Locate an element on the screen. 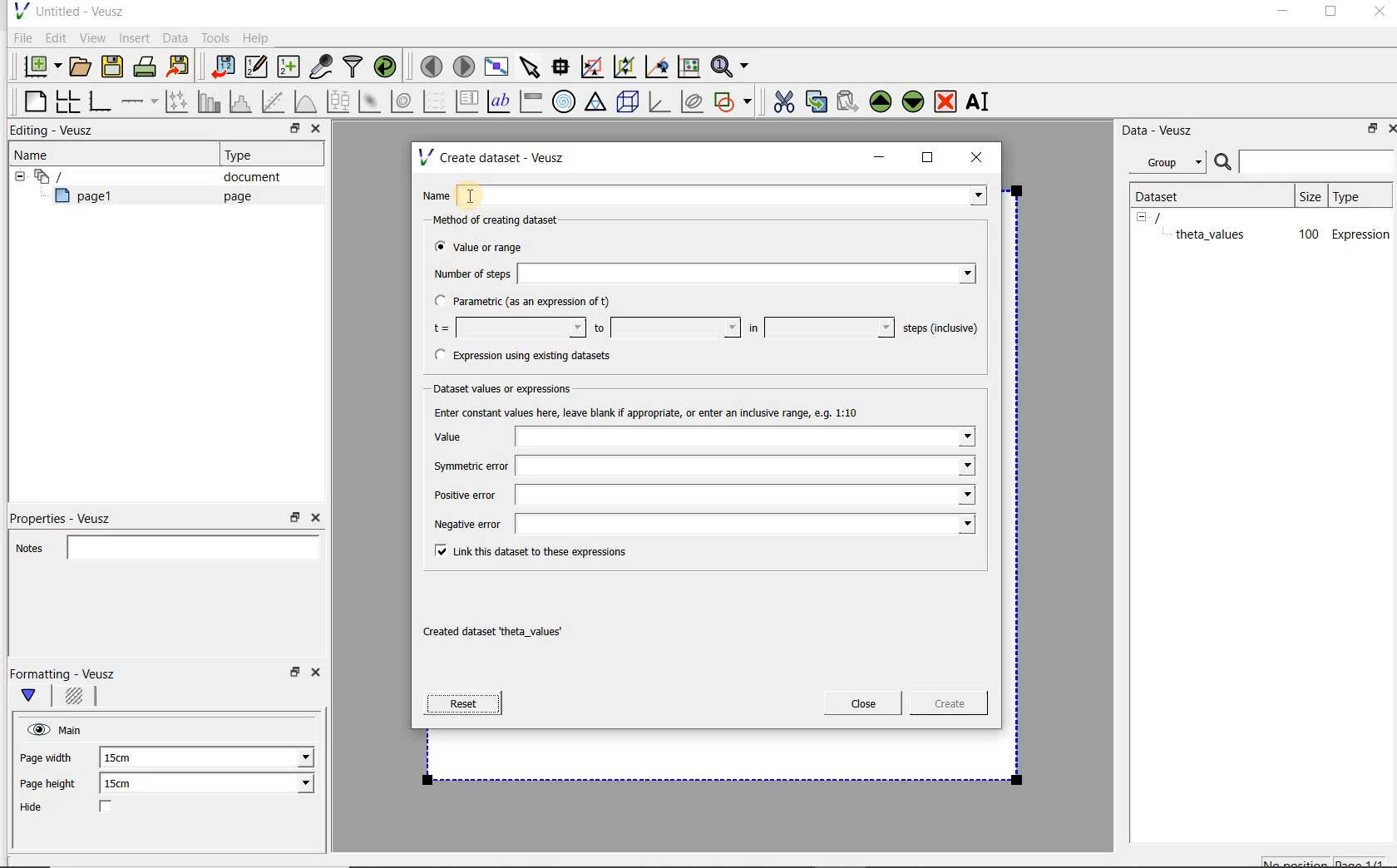 The height and width of the screenshot is (868, 1397). in  is located at coordinates (819, 328).